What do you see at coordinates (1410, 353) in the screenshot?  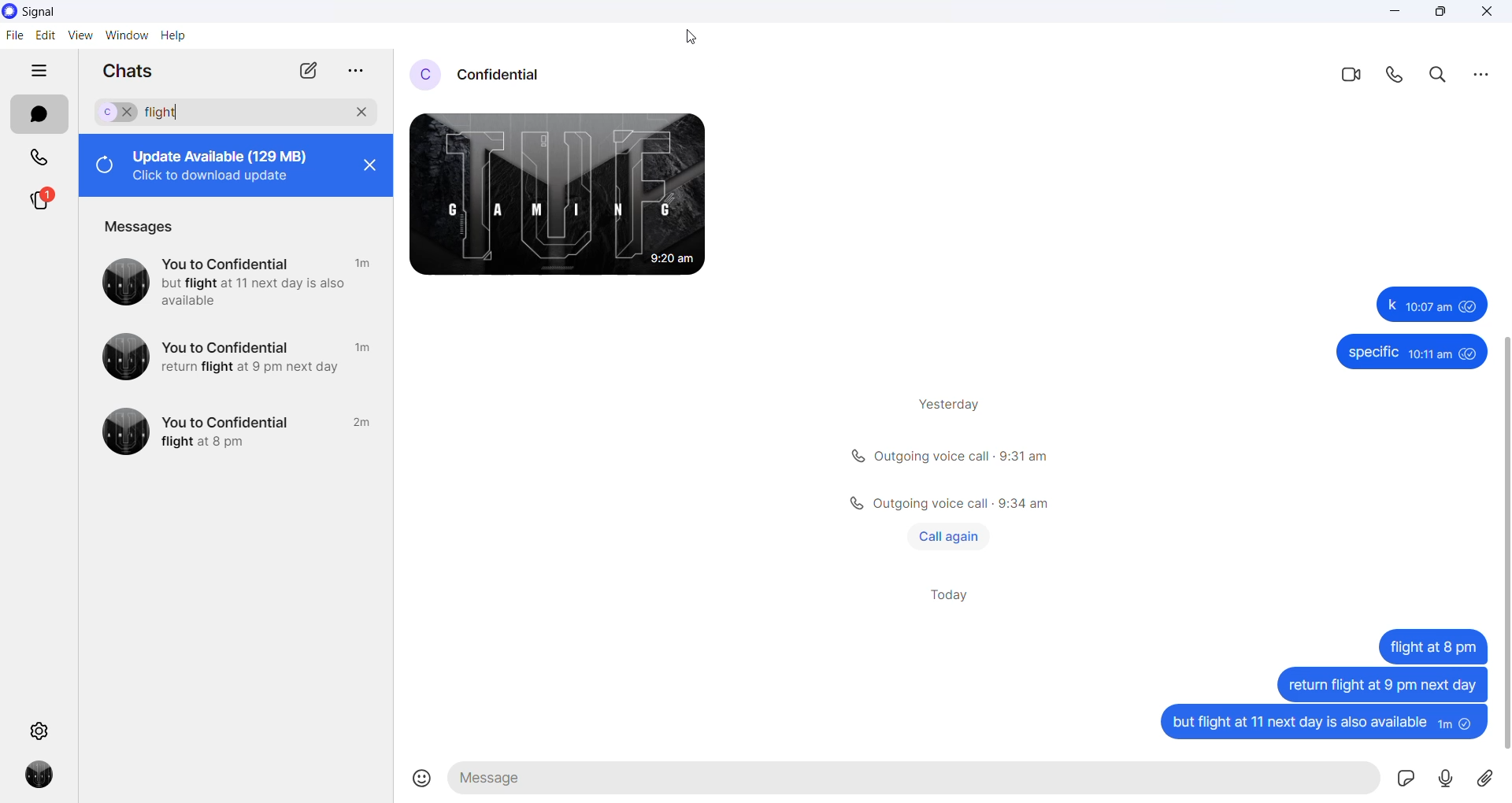 I see `` at bounding box center [1410, 353].